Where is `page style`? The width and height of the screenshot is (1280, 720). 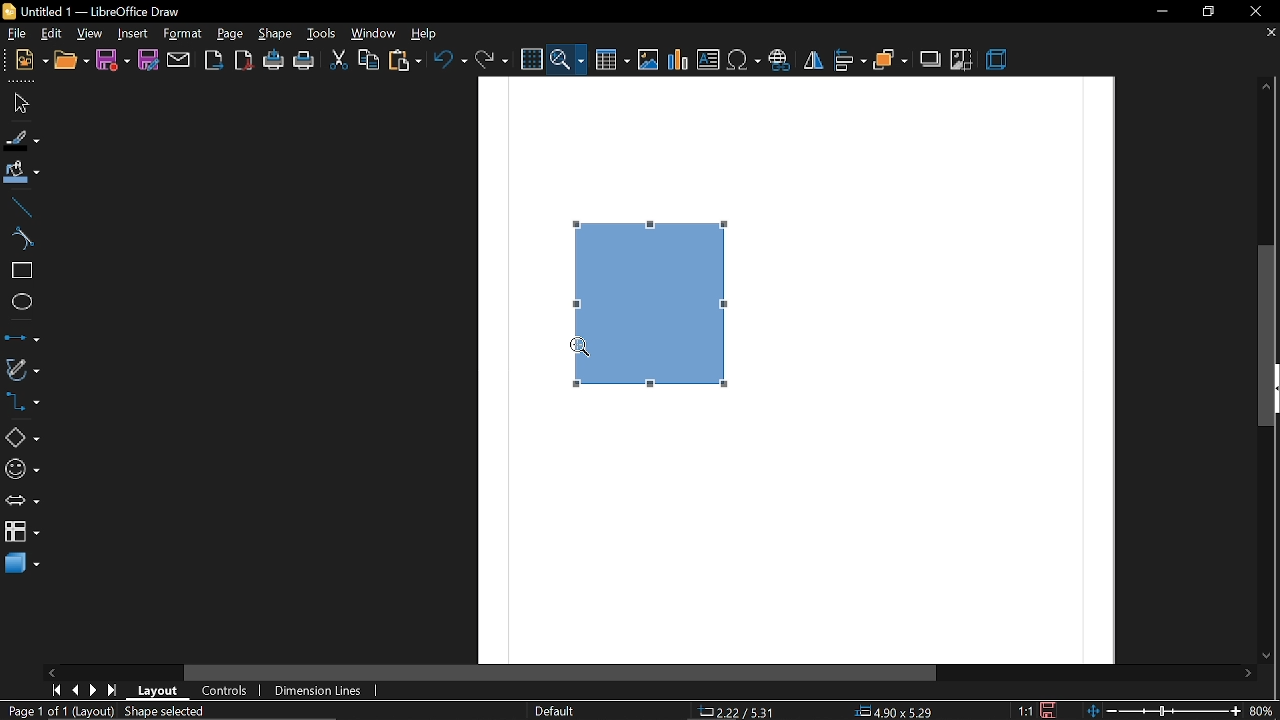
page style is located at coordinates (556, 712).